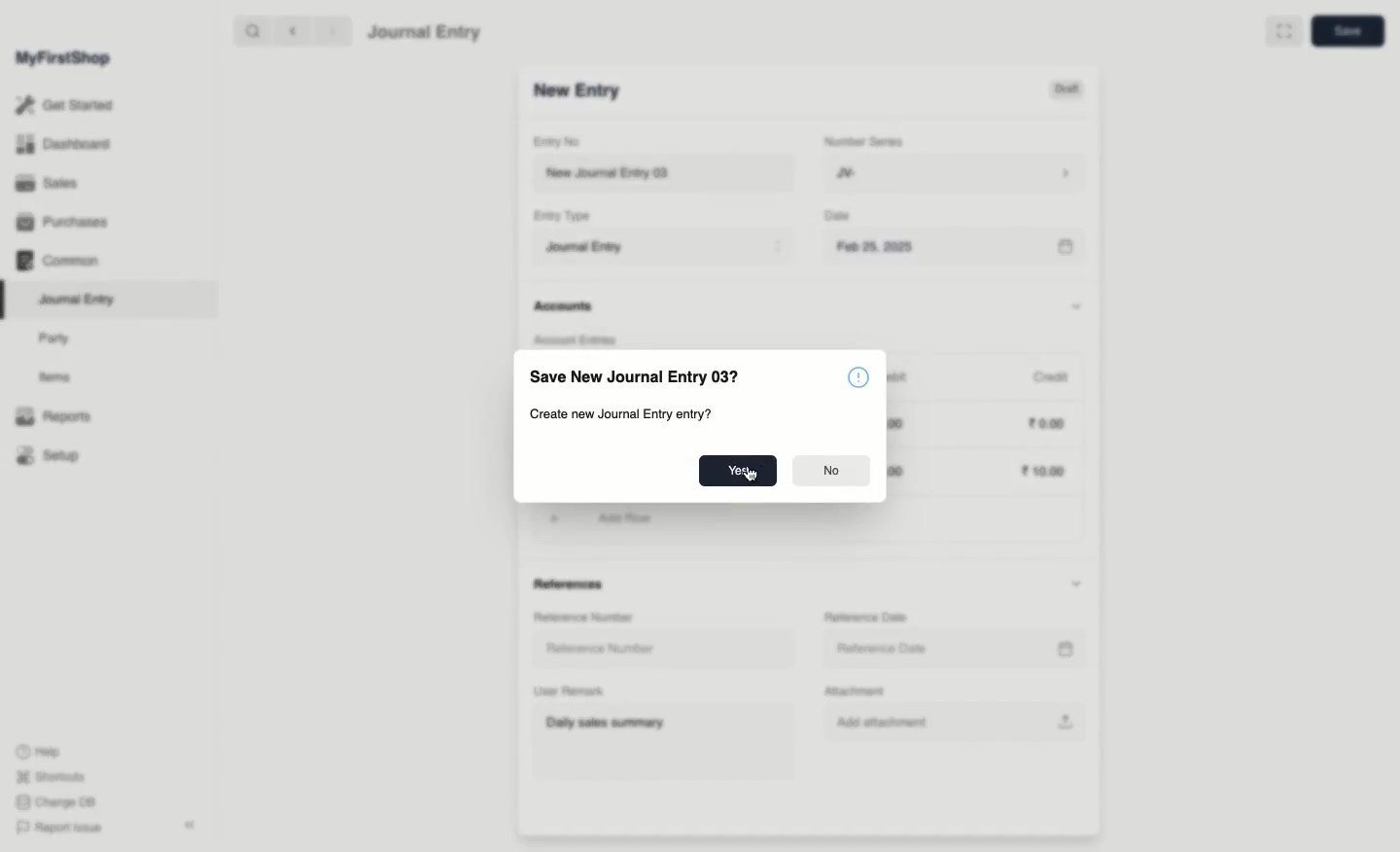 The height and width of the screenshot is (852, 1400). Describe the element at coordinates (56, 803) in the screenshot. I see `Change DB` at that location.